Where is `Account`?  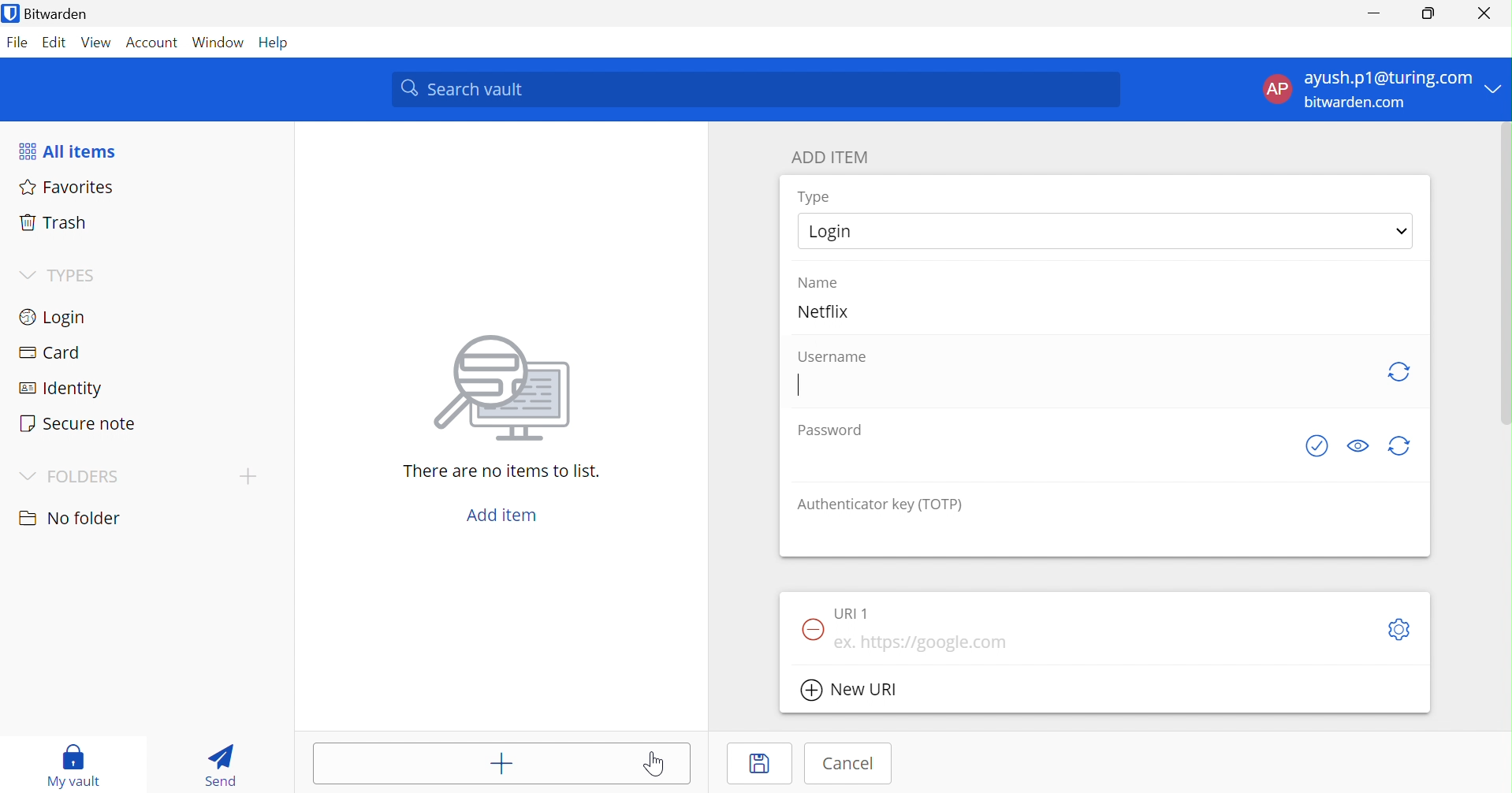
Account is located at coordinates (150, 42).